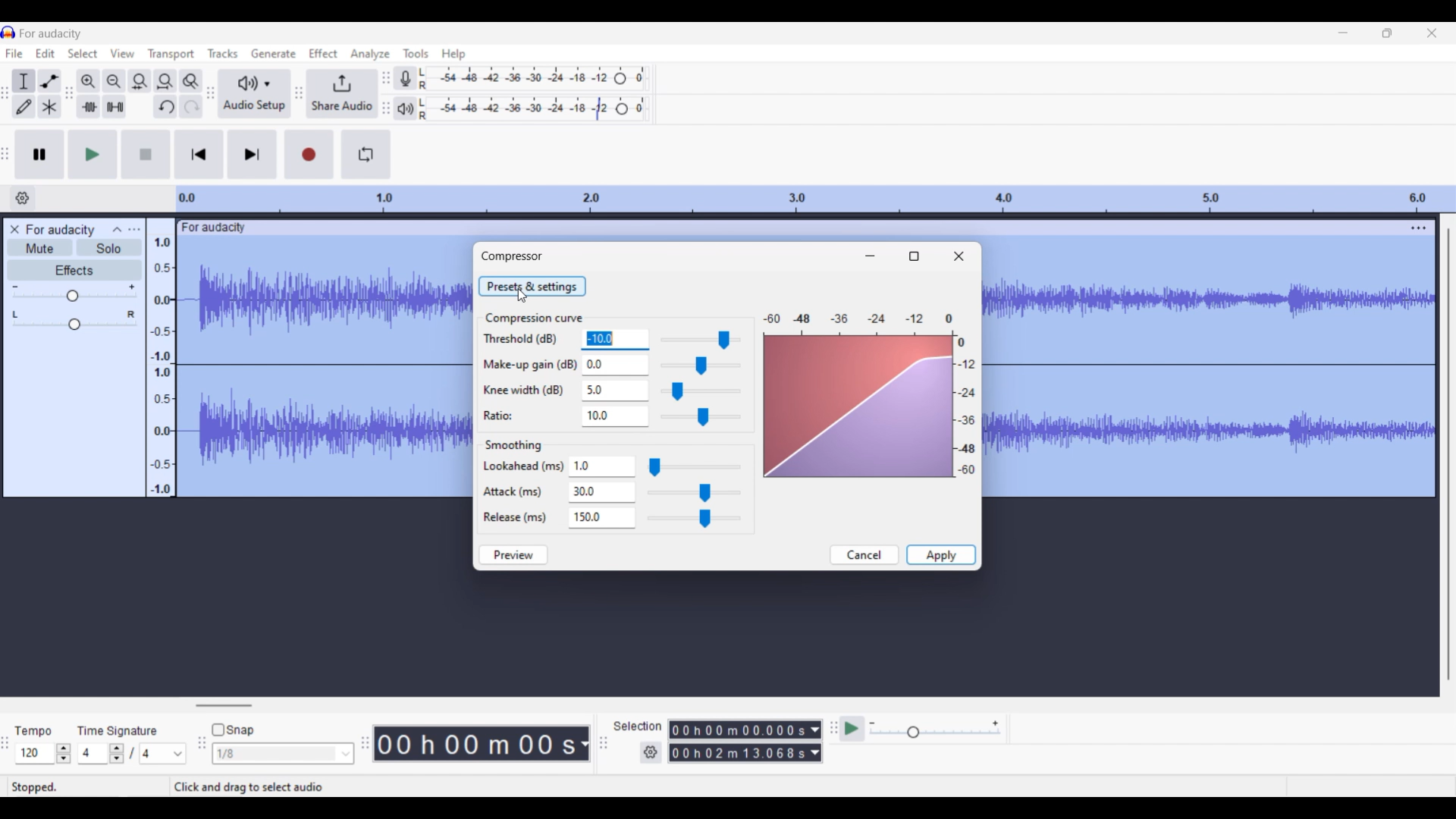  What do you see at coordinates (701, 391) in the screenshot?
I see `Knee width slider` at bounding box center [701, 391].